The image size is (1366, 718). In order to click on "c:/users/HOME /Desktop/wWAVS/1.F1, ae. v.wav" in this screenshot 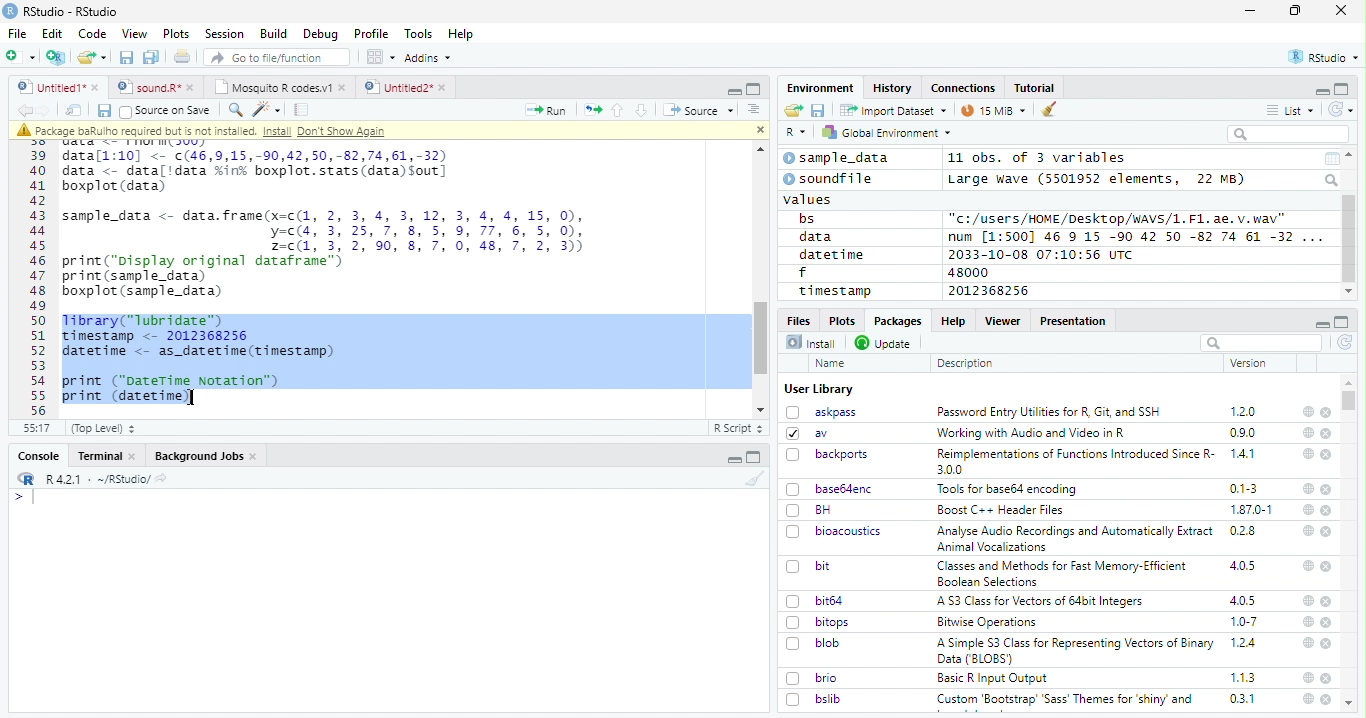, I will do `click(1119, 217)`.